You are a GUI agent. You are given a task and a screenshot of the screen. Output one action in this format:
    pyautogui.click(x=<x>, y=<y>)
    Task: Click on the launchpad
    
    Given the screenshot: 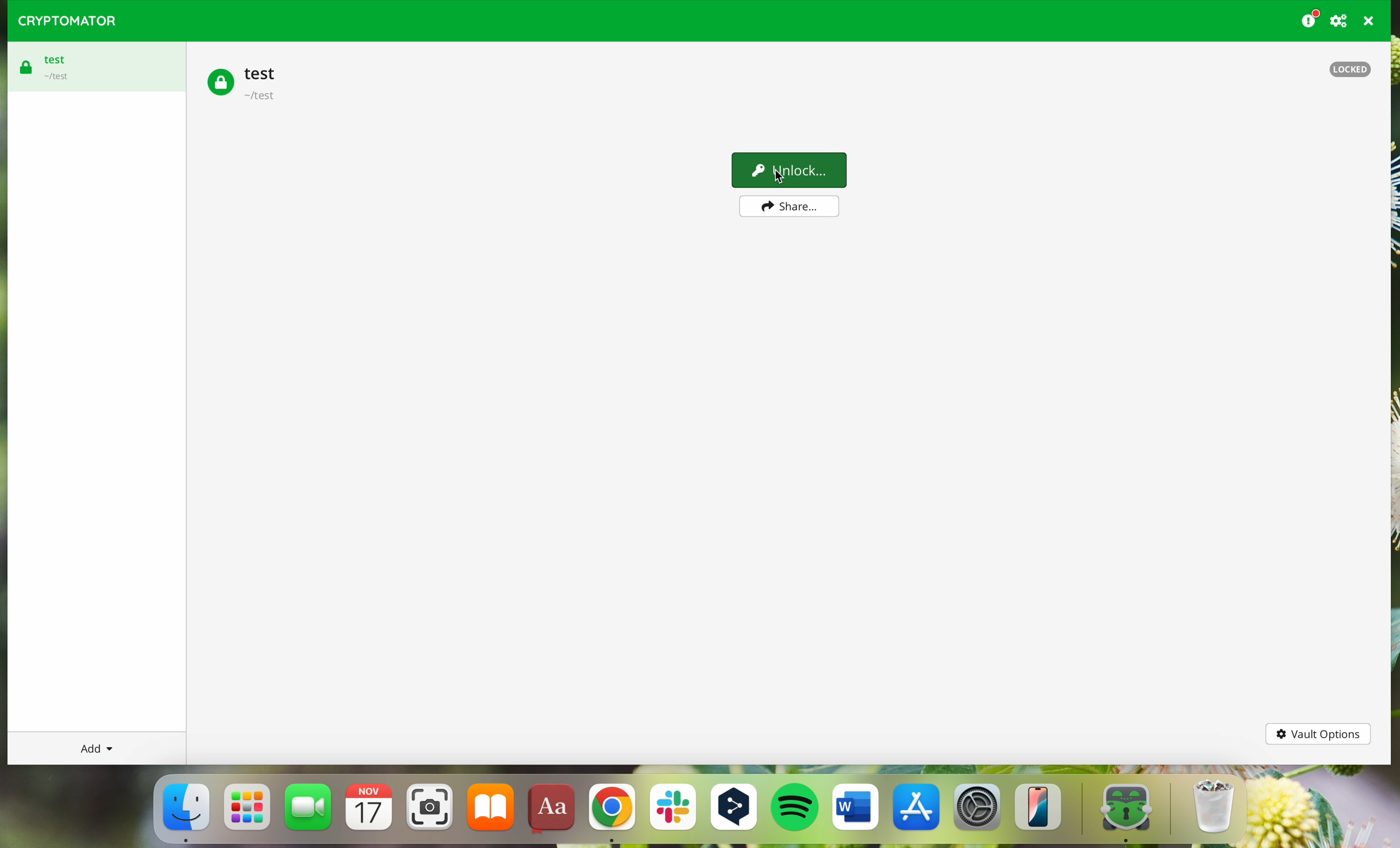 What is the action you would take?
    pyautogui.click(x=248, y=807)
    